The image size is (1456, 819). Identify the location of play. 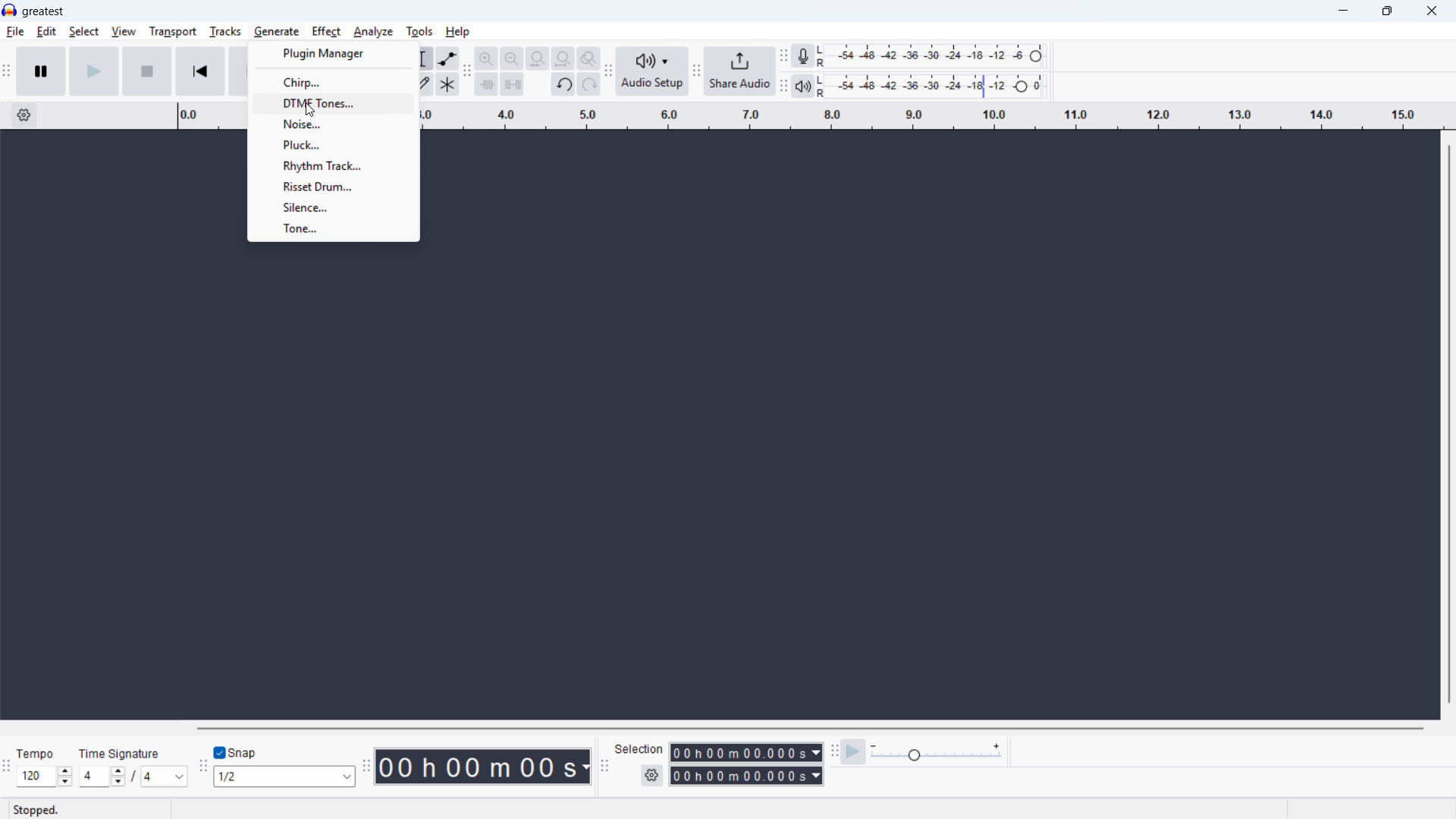
(94, 71).